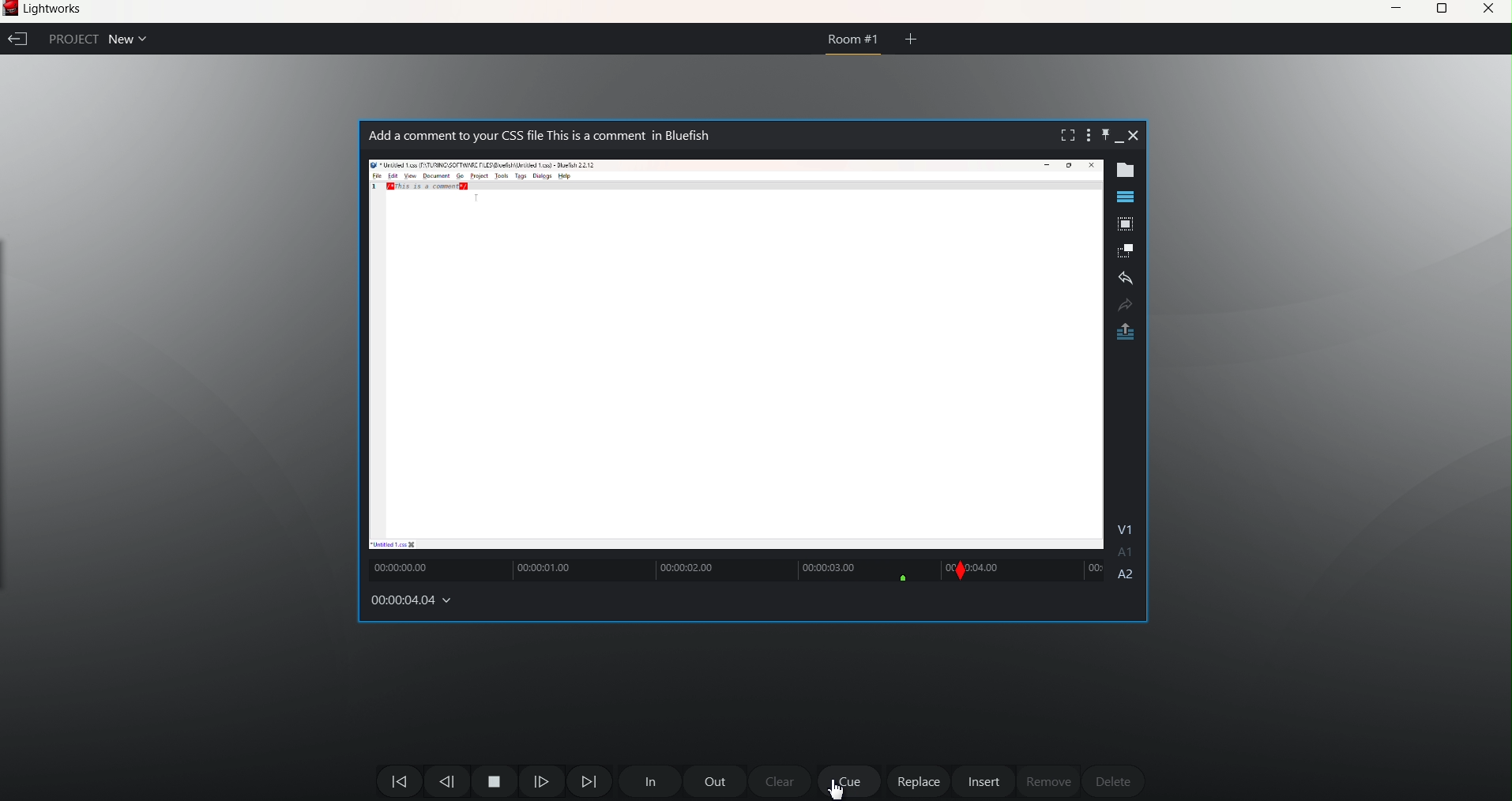  What do you see at coordinates (1135, 135) in the screenshot?
I see `close clip` at bounding box center [1135, 135].